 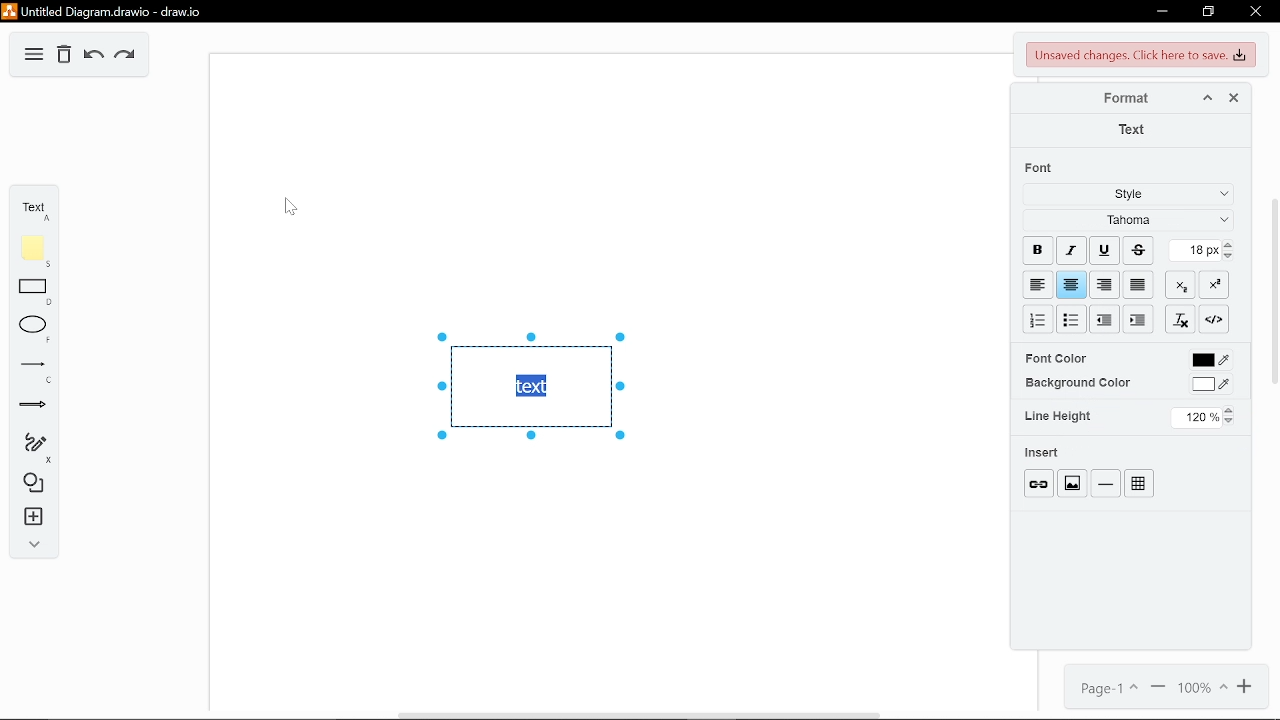 I want to click on cursor, so click(x=290, y=207).